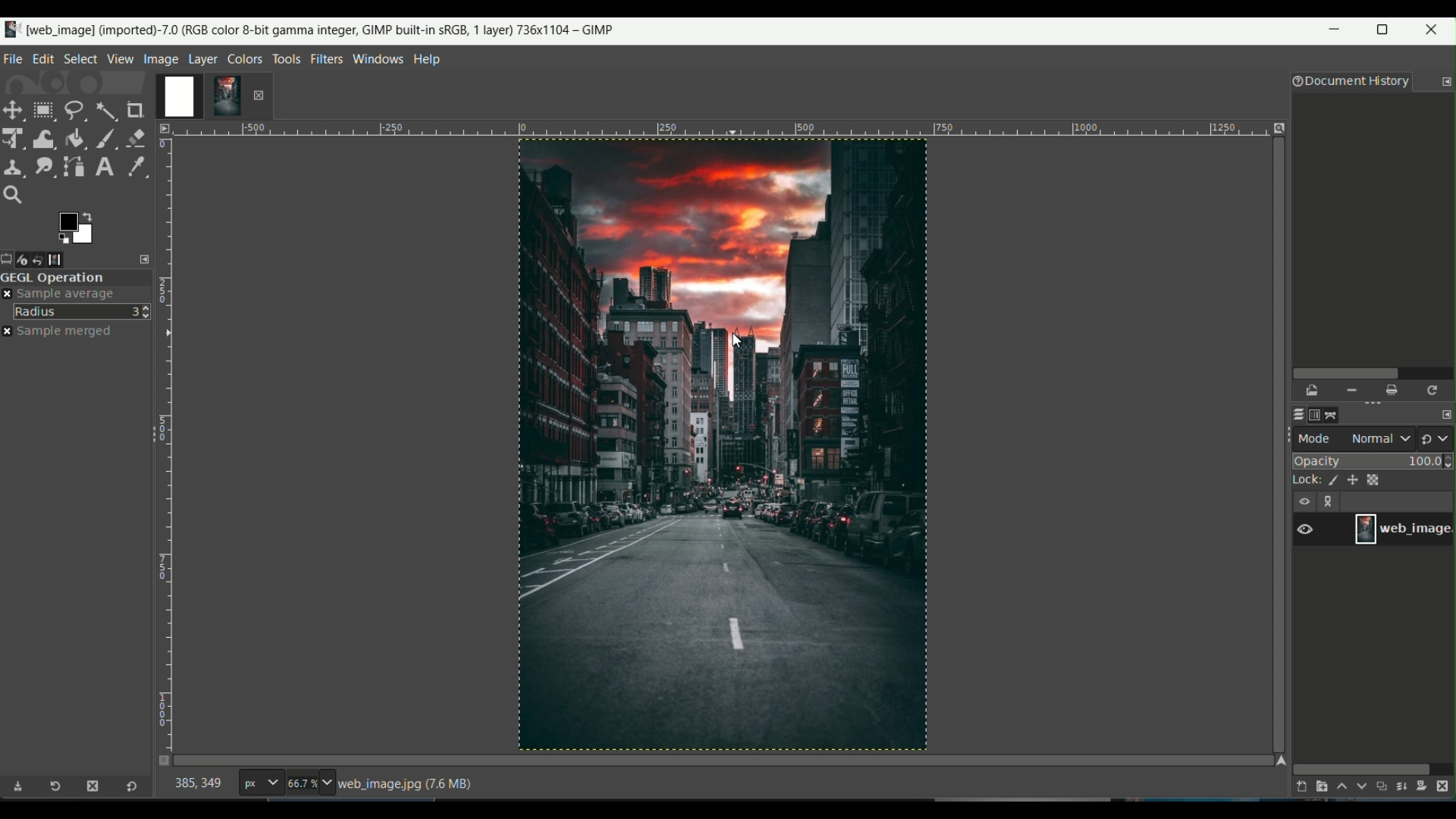 The height and width of the screenshot is (819, 1456). Describe the element at coordinates (205, 58) in the screenshot. I see `layers tab` at that location.